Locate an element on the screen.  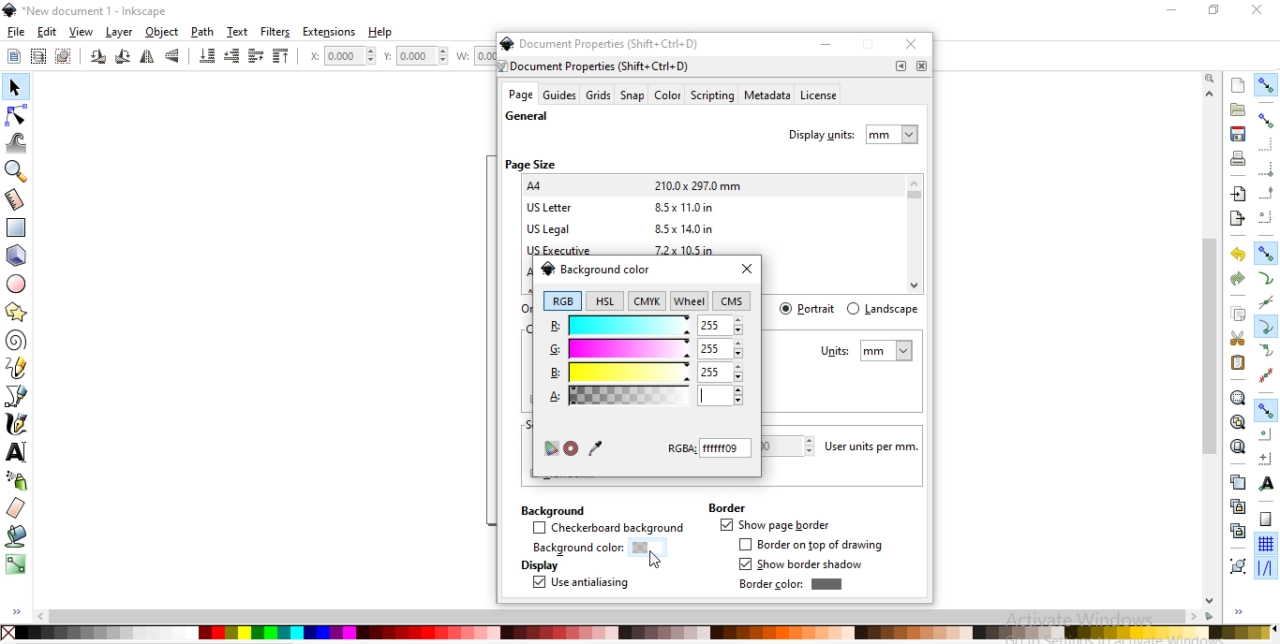
snapping centers of bounding boxes is located at coordinates (1265, 217).